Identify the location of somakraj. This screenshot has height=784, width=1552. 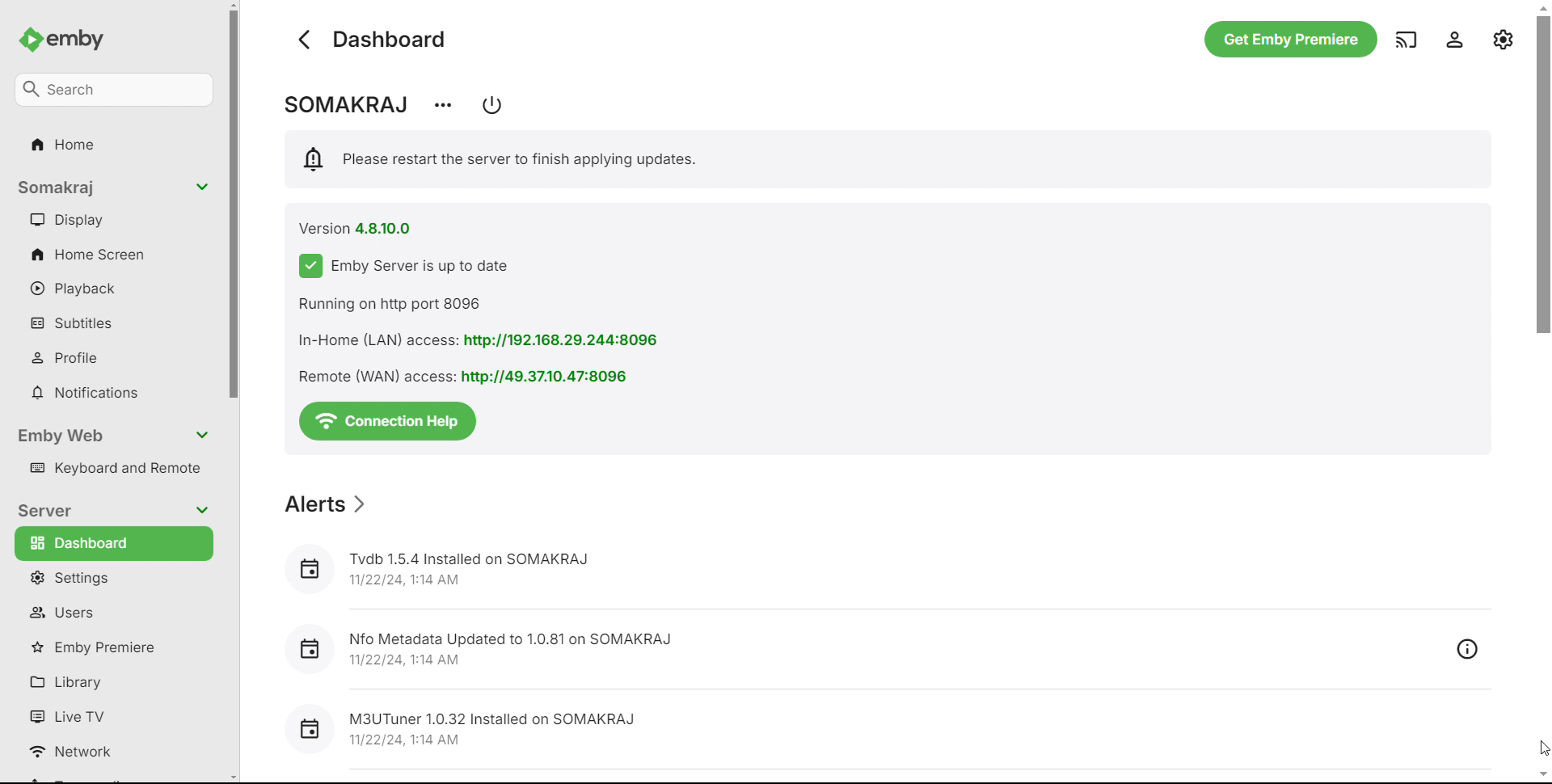
(112, 188).